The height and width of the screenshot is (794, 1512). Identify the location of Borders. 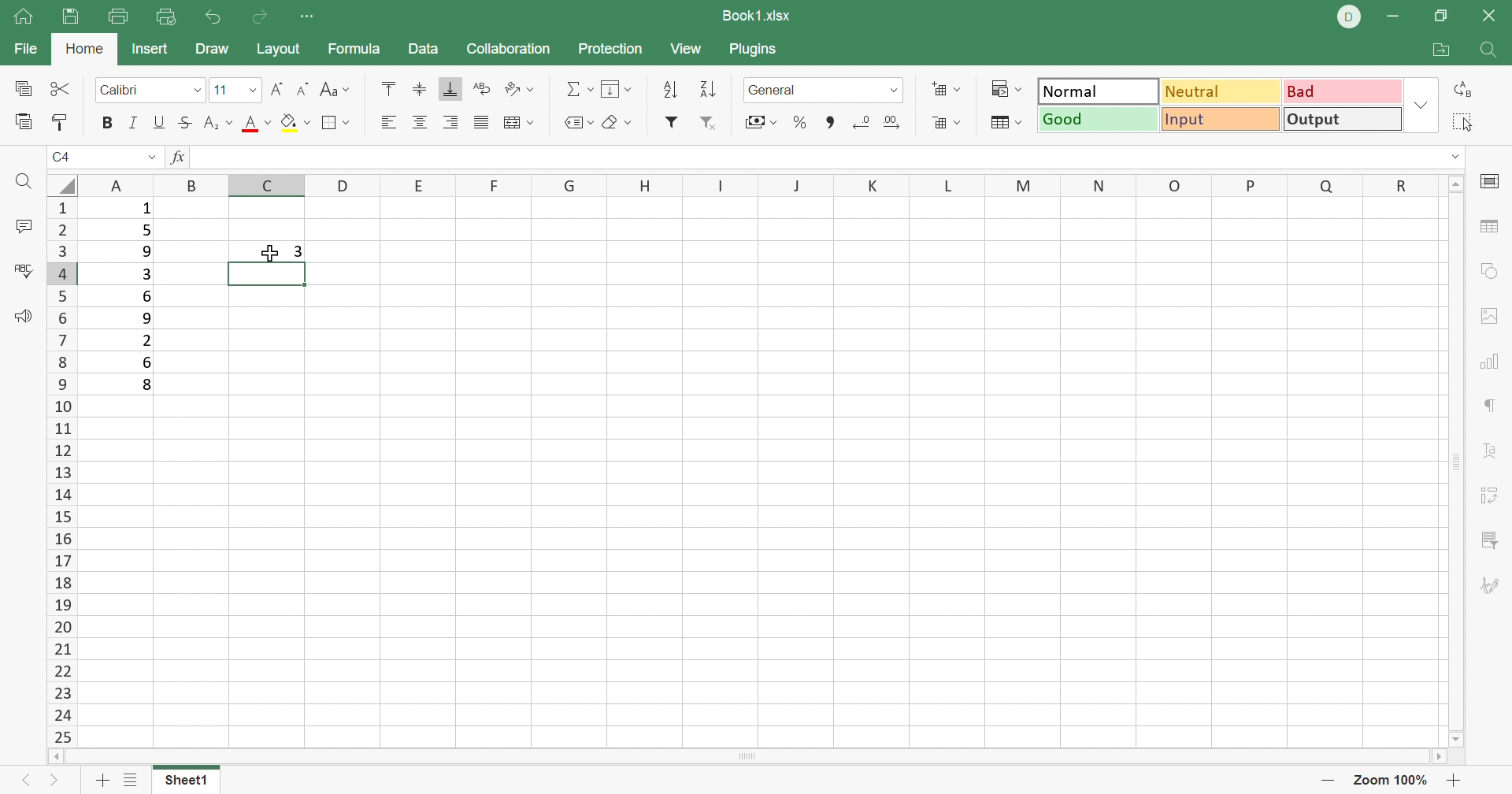
(335, 121).